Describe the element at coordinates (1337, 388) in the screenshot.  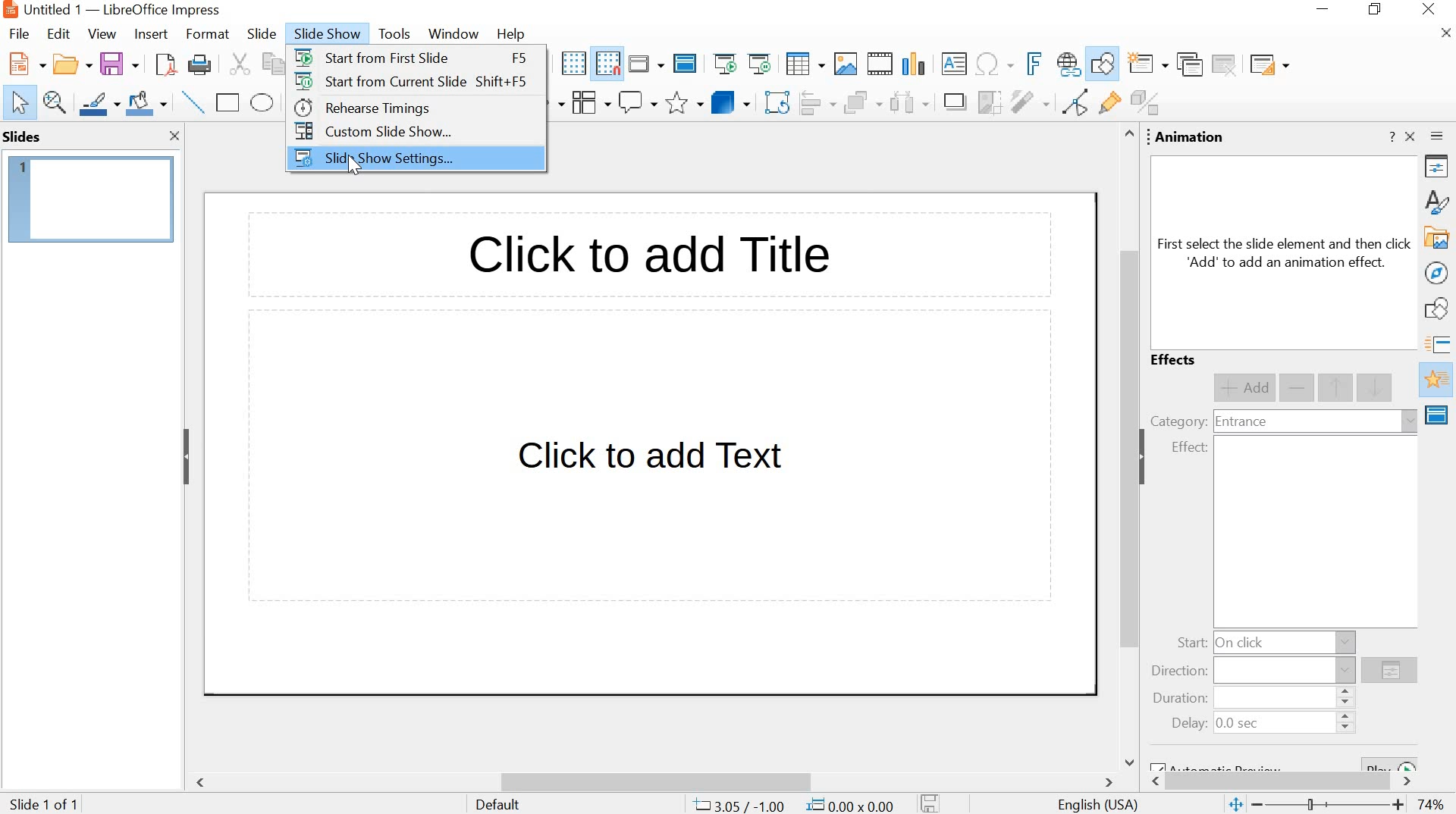
I see `move up` at that location.